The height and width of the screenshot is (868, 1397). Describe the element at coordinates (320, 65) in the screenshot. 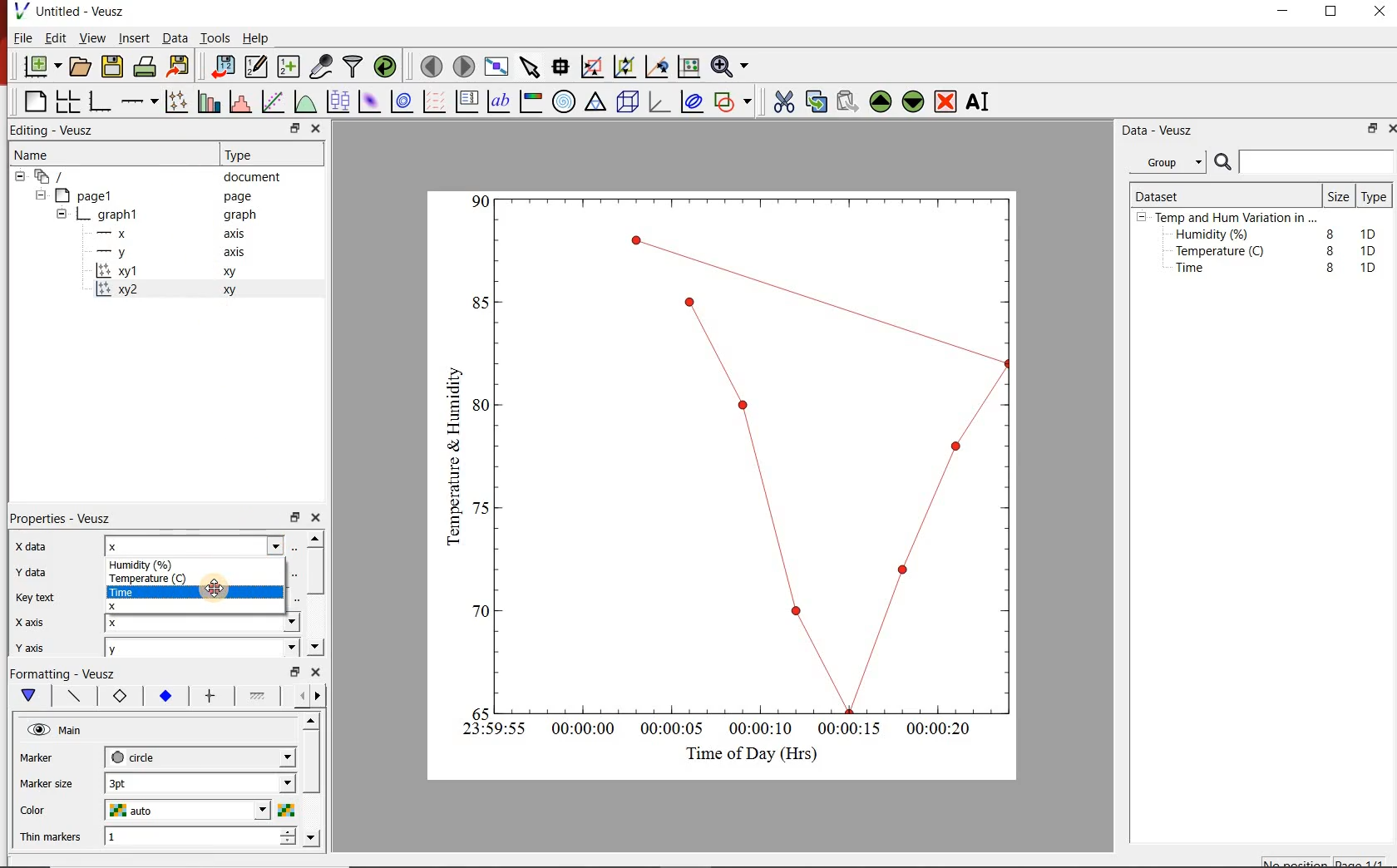

I see `capture remote data` at that location.